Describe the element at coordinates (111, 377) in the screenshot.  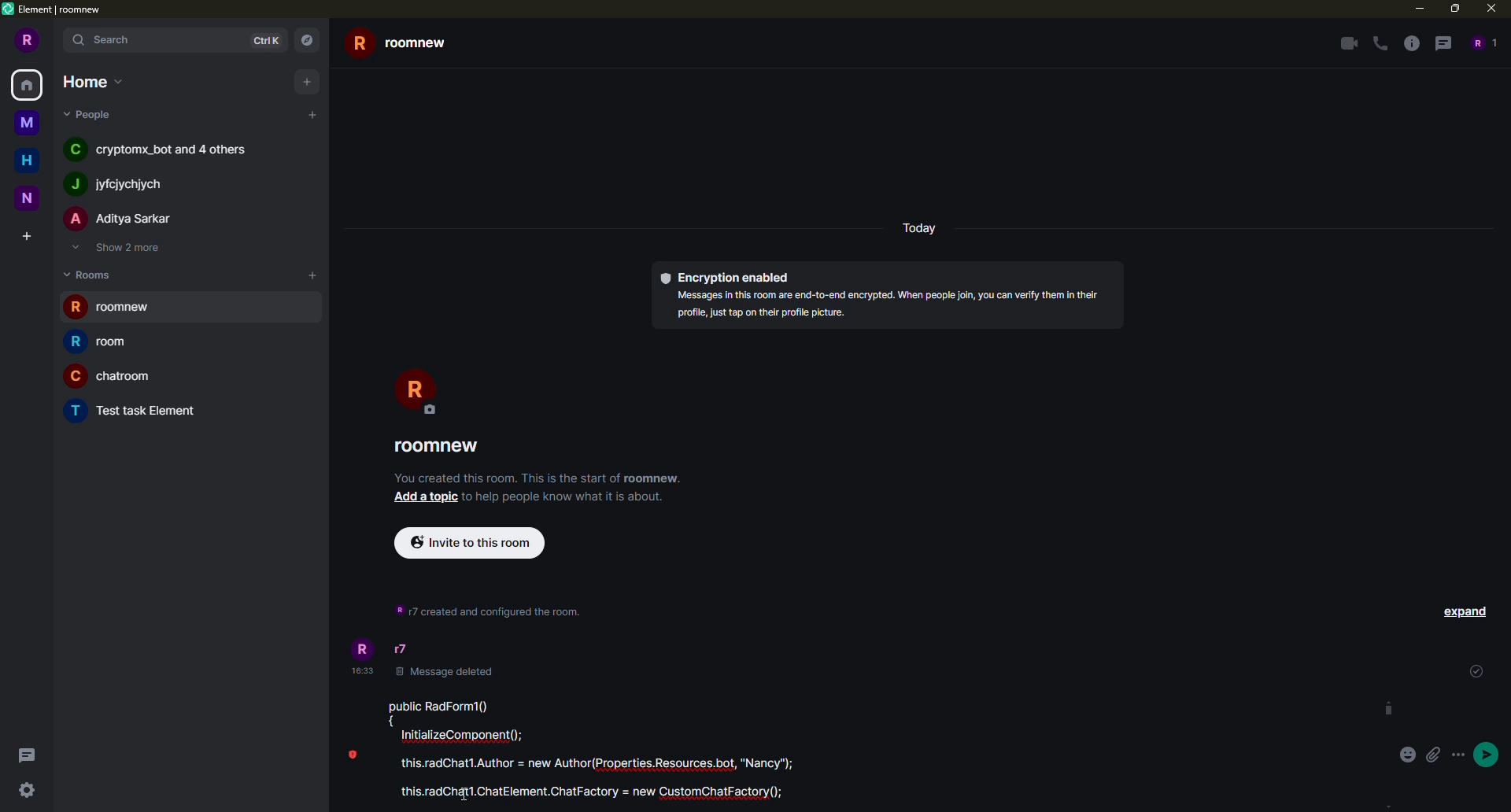
I see `room` at that location.